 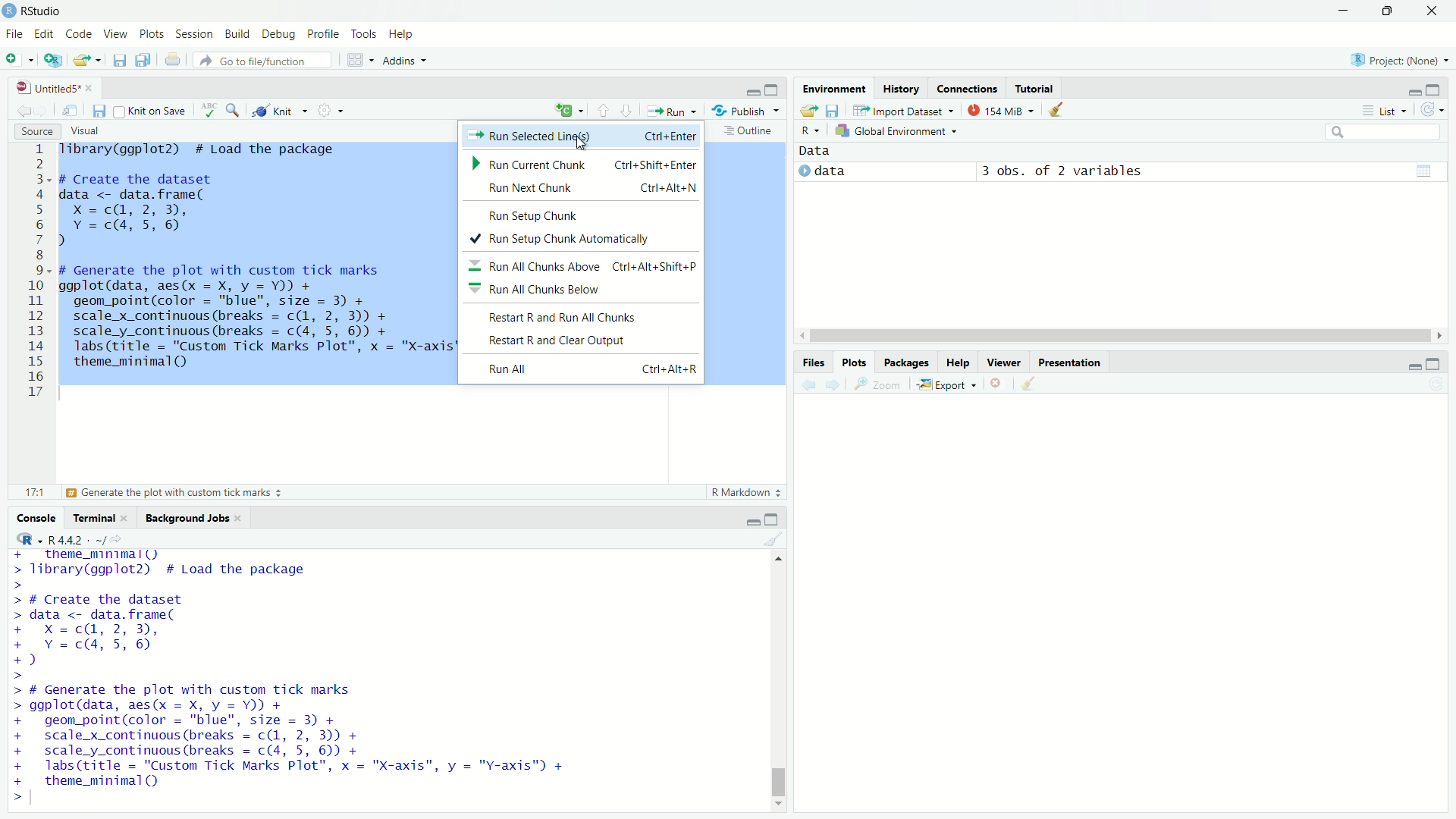 I want to click on settings, so click(x=334, y=111).